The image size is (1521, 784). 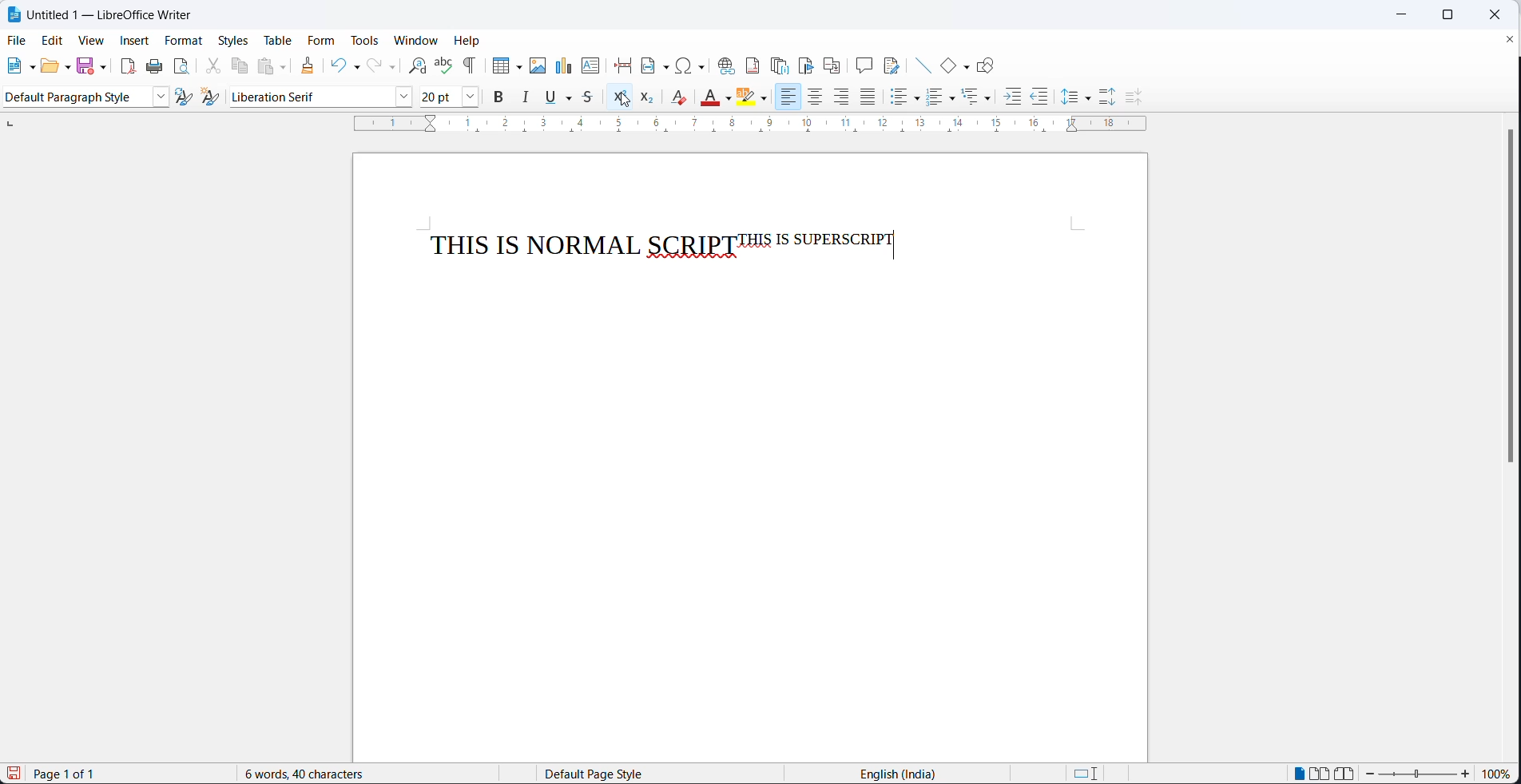 What do you see at coordinates (211, 65) in the screenshot?
I see `cut` at bounding box center [211, 65].